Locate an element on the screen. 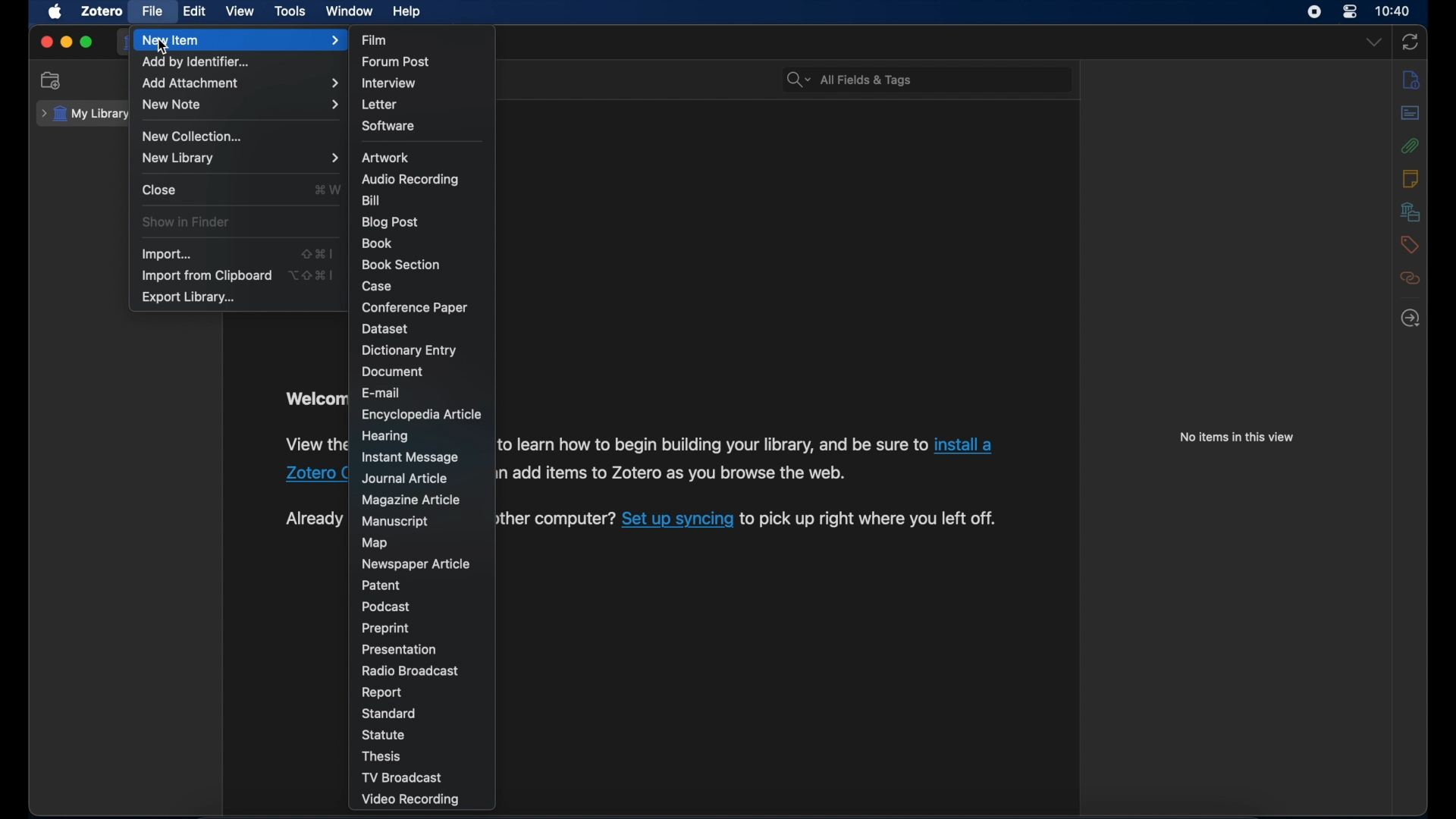 The height and width of the screenshot is (819, 1456). export library is located at coordinates (190, 297).